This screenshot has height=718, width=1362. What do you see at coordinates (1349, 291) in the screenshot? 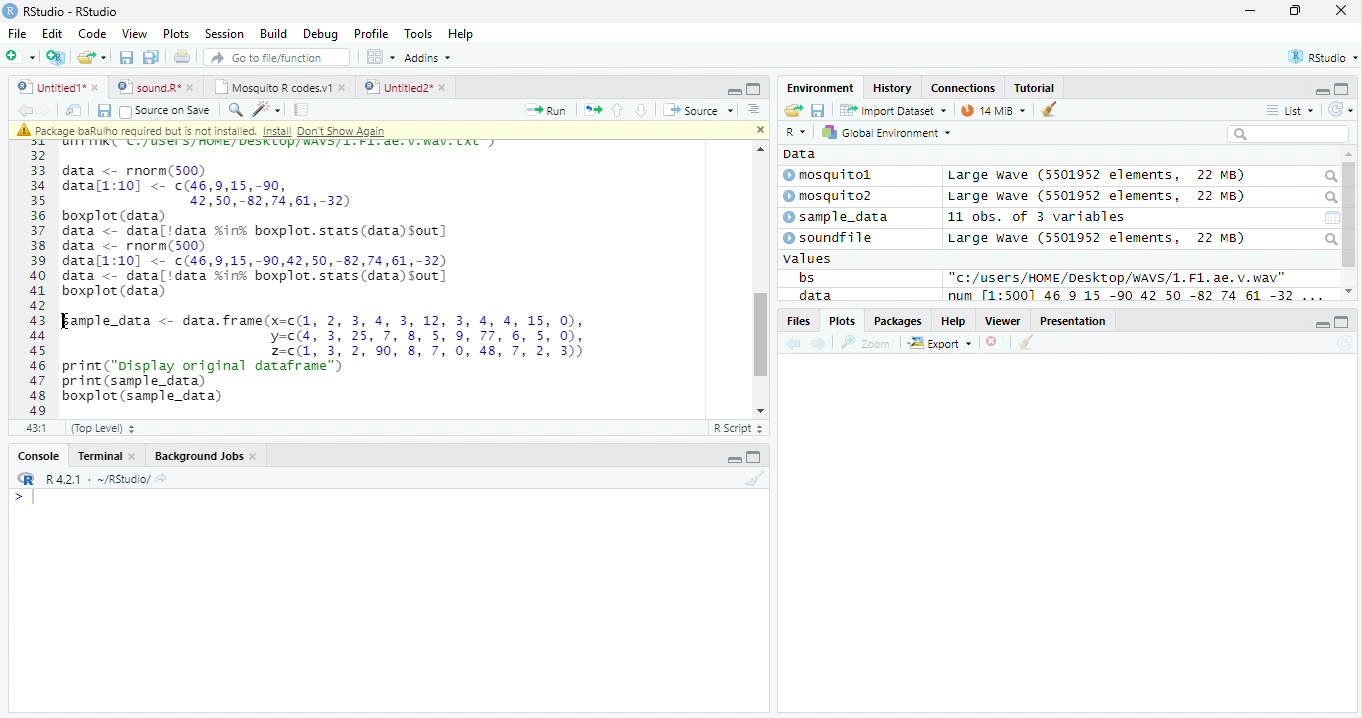
I see `scroll down` at bounding box center [1349, 291].